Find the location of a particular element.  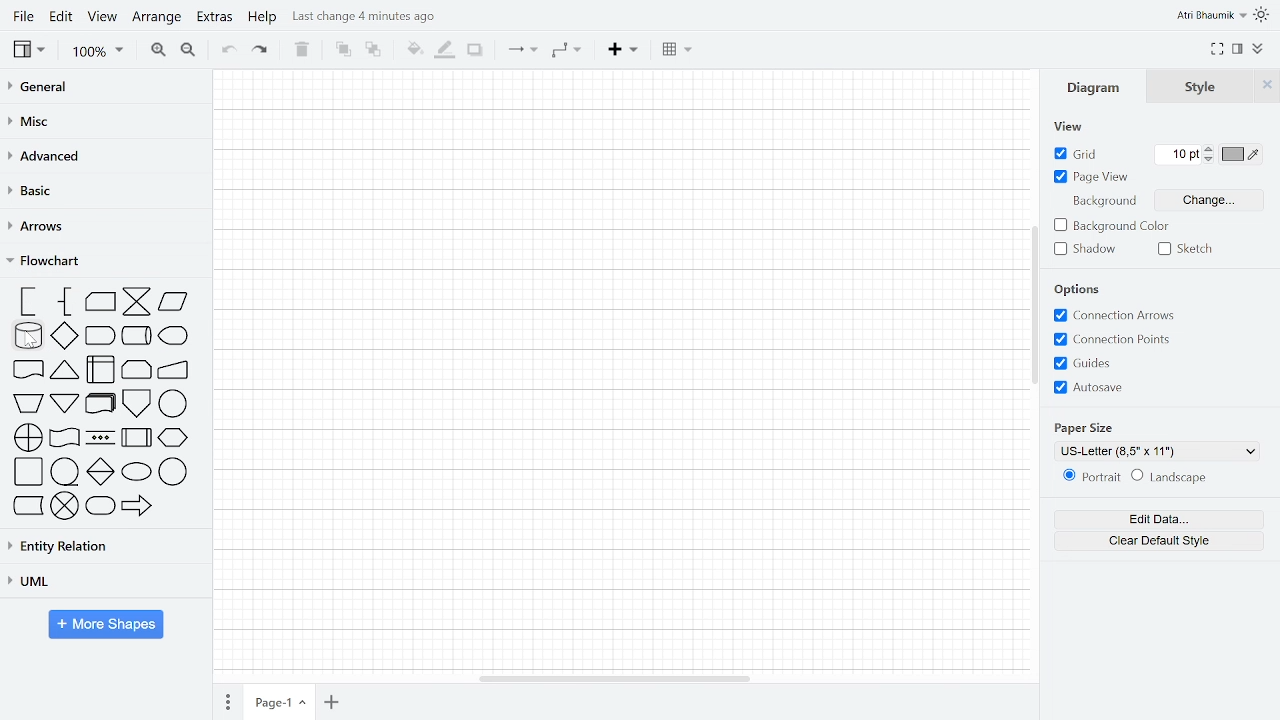

Arrange is located at coordinates (157, 19).